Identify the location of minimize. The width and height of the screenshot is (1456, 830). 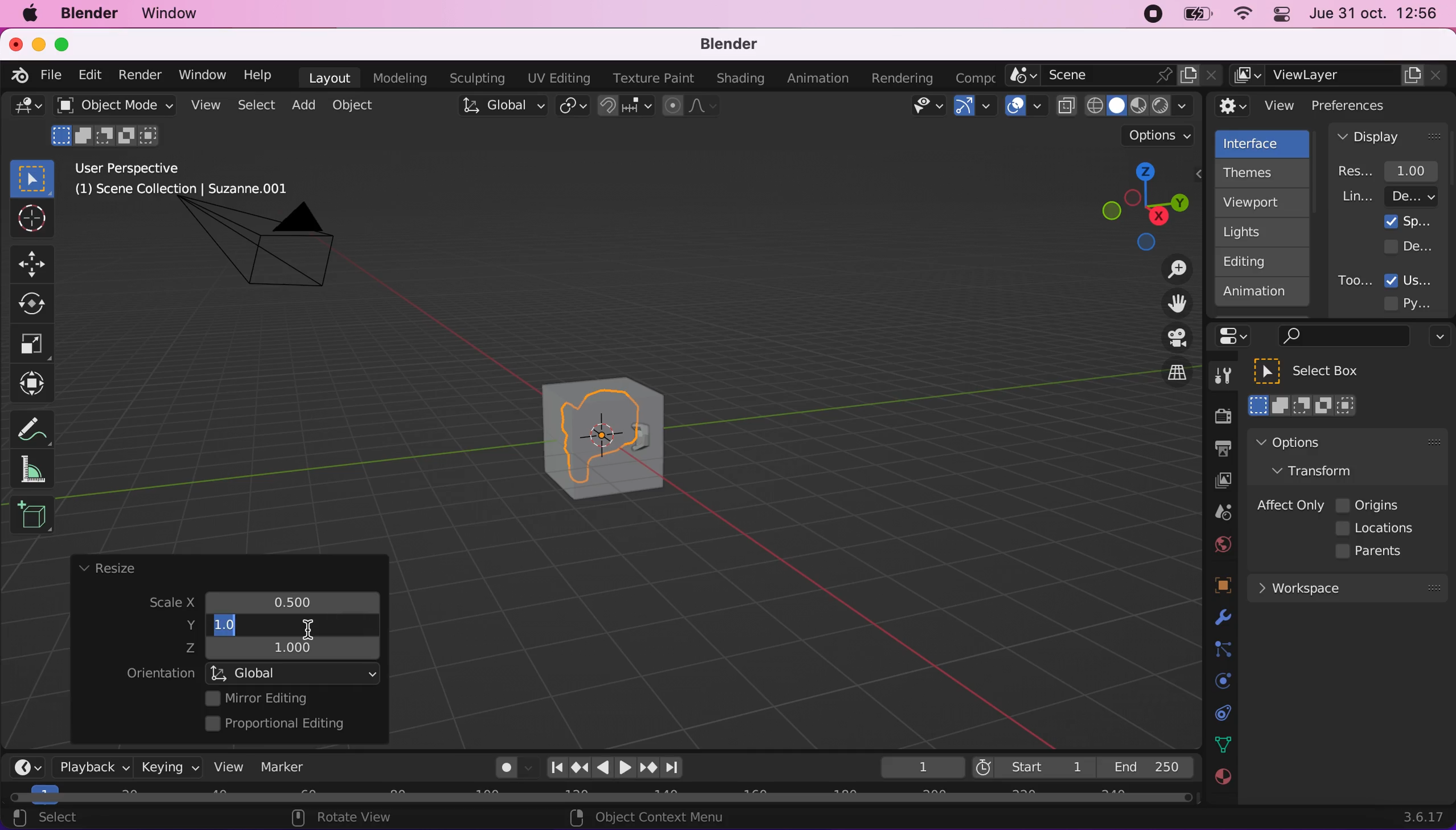
(36, 43).